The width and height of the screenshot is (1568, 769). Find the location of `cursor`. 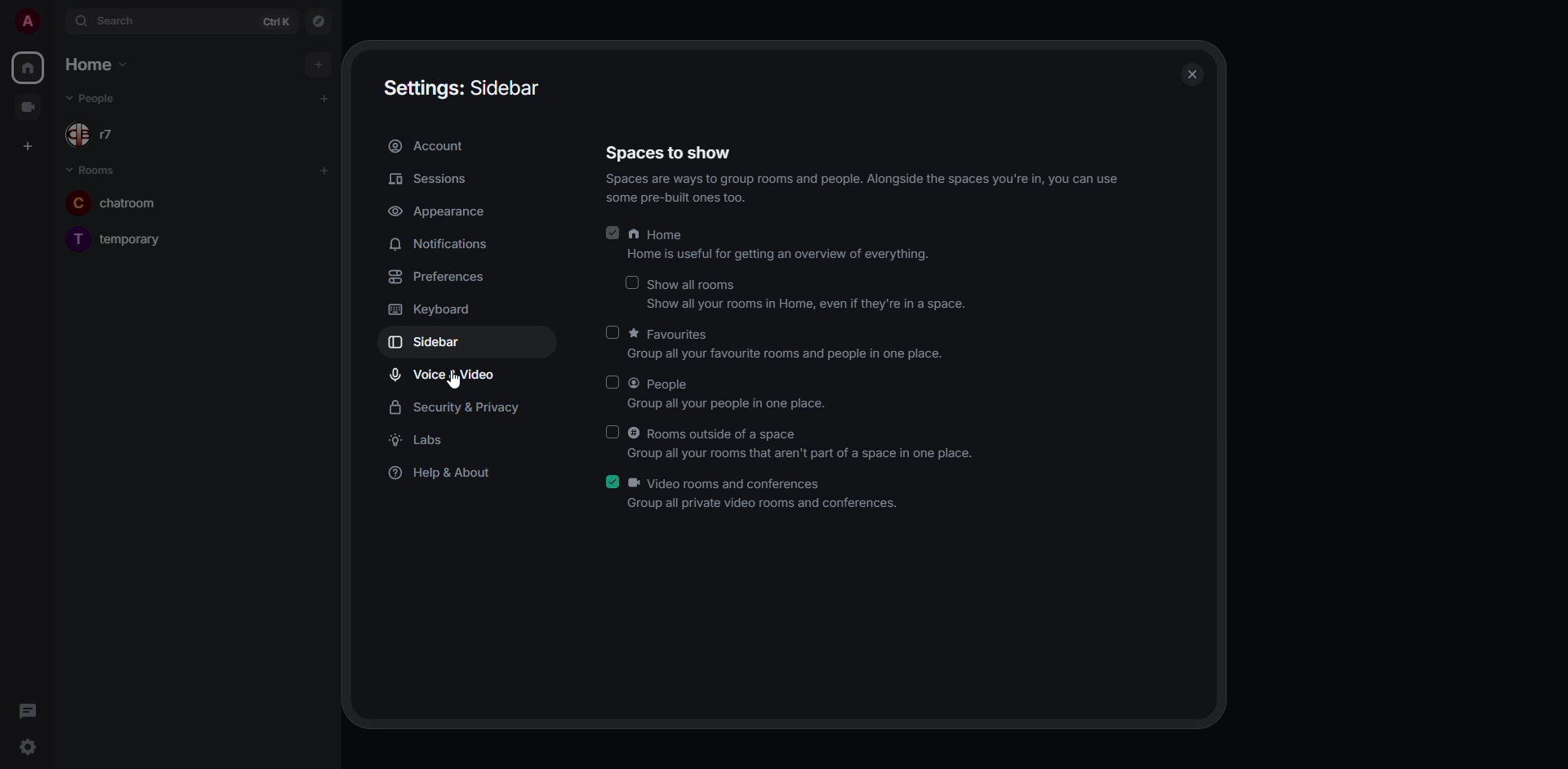

cursor is located at coordinates (456, 385).